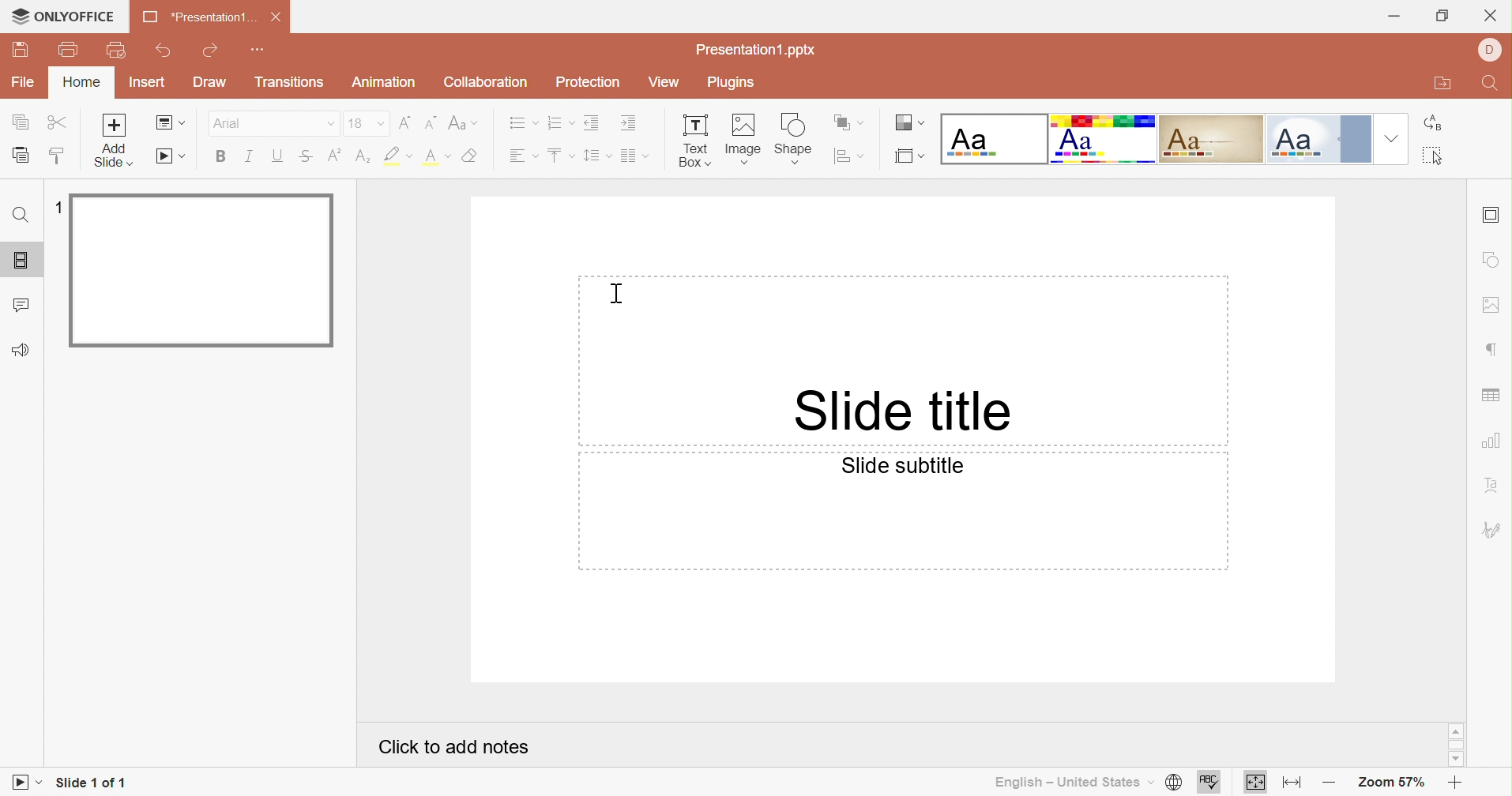  I want to click on File, so click(25, 84).